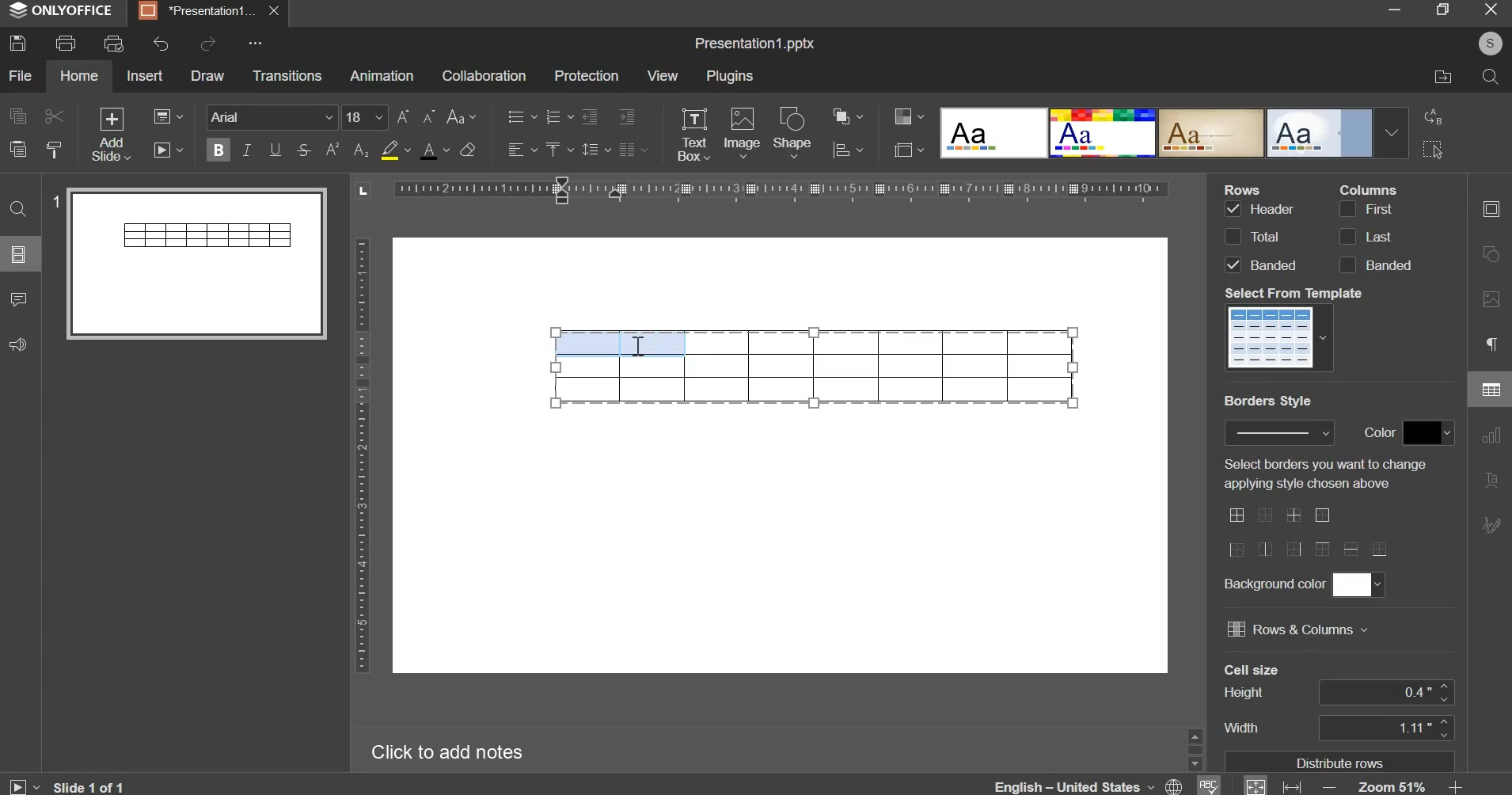  What do you see at coordinates (207, 11) in the screenshot?
I see `Presentation tab` at bounding box center [207, 11].